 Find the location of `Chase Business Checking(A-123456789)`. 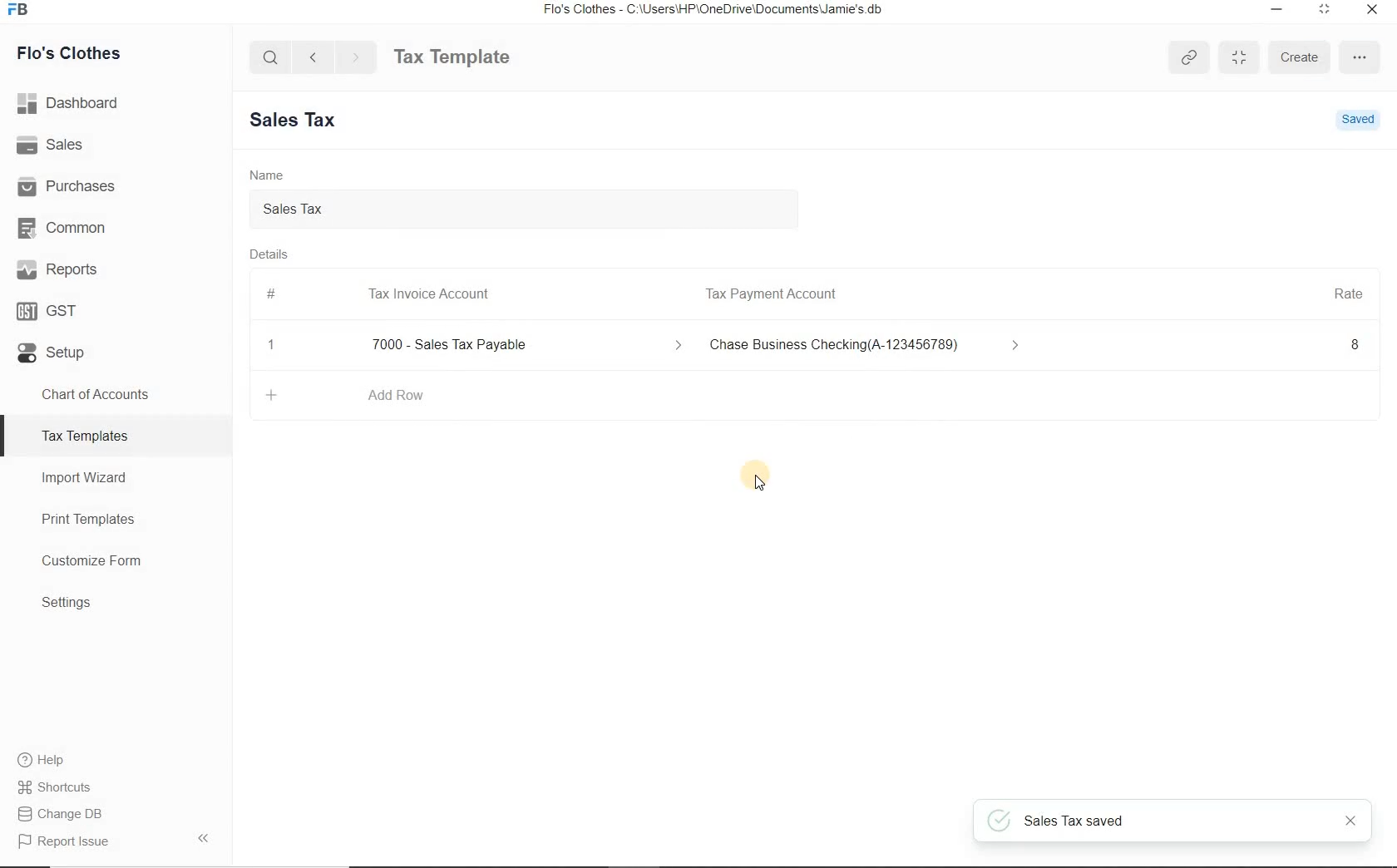

Chase Business Checking(A-123456789) is located at coordinates (868, 346).